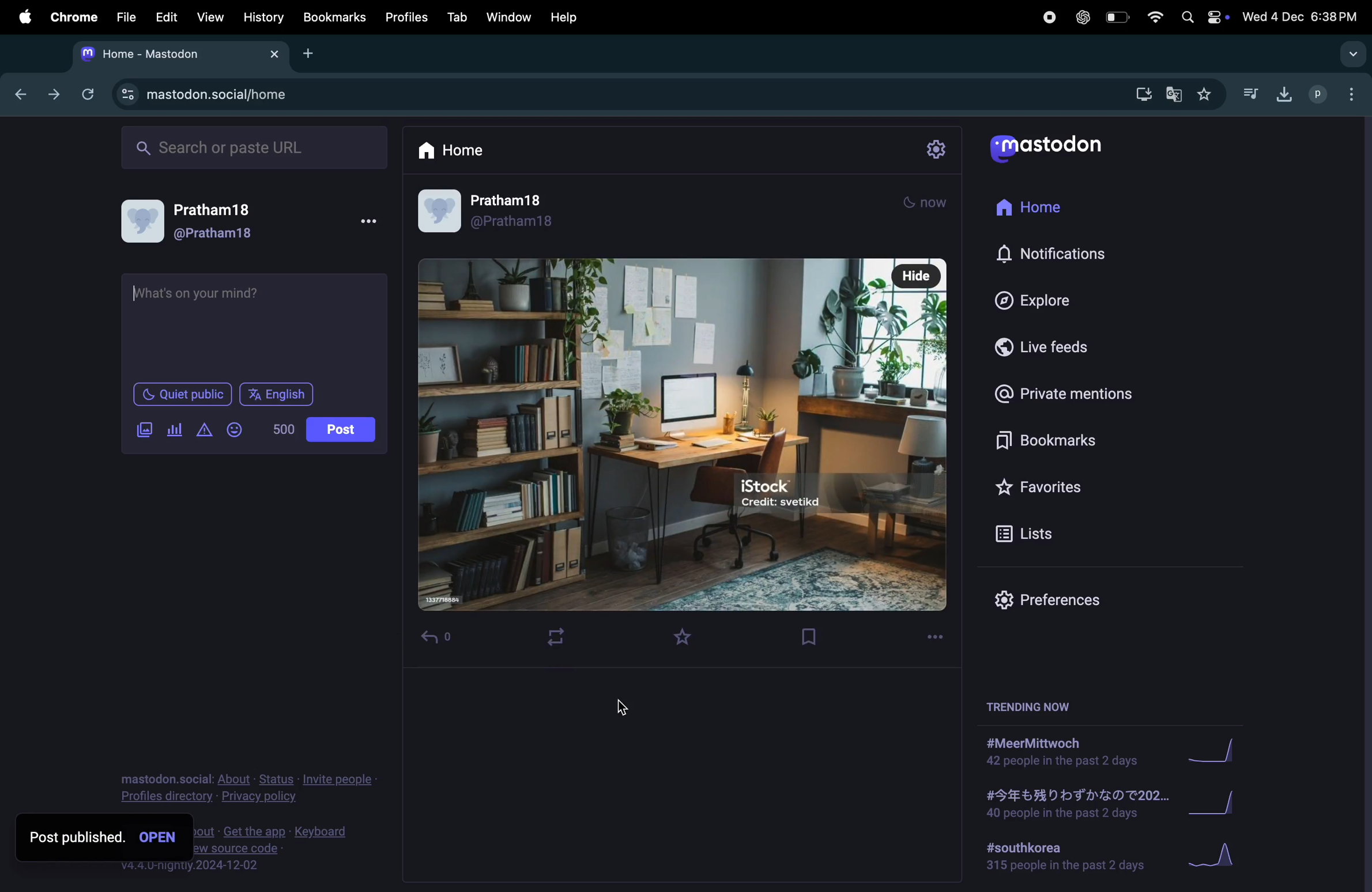 The width and height of the screenshot is (1372, 892). What do you see at coordinates (1222, 803) in the screenshot?
I see `Graph` at bounding box center [1222, 803].